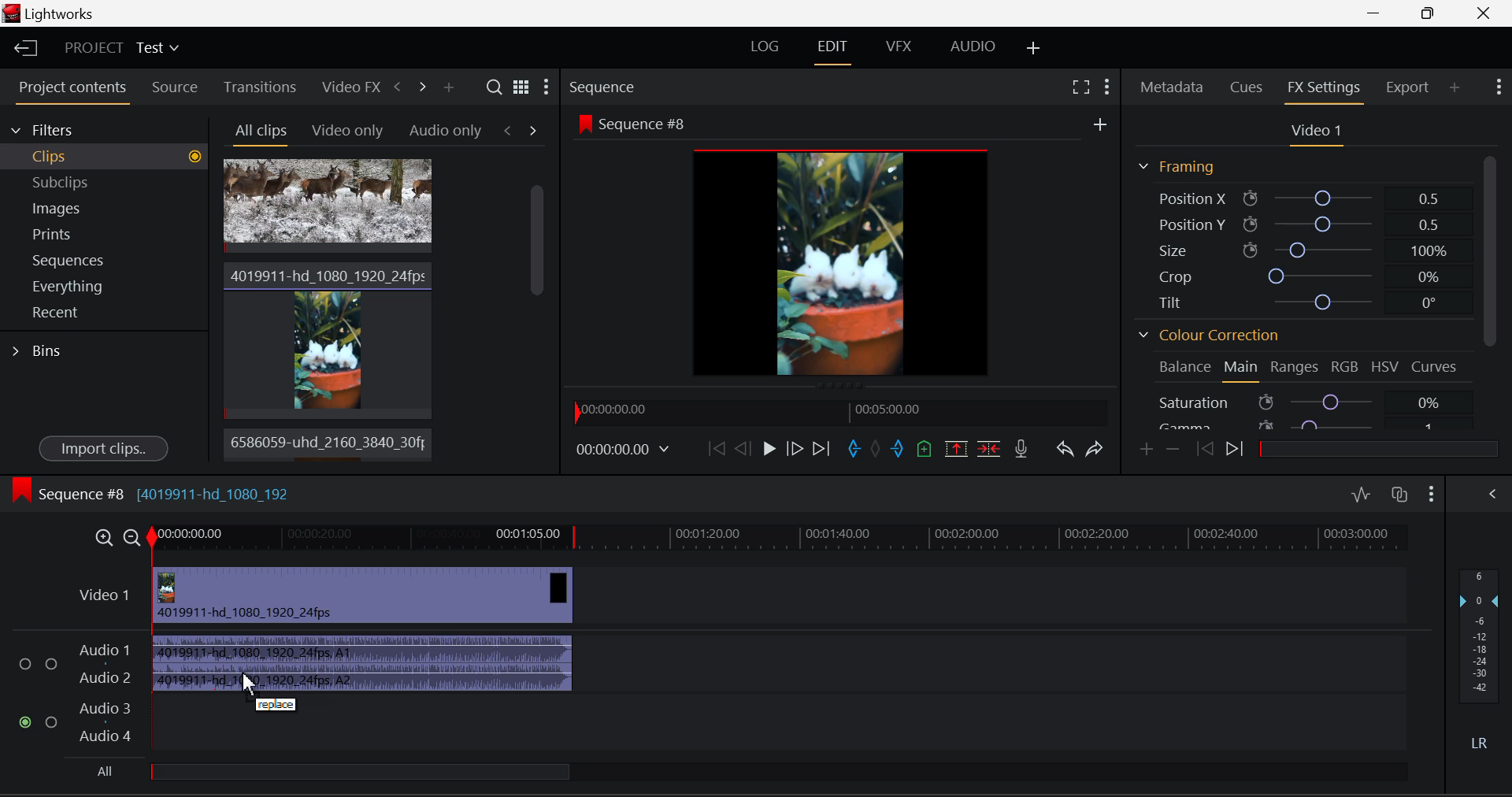  Describe the element at coordinates (104, 129) in the screenshot. I see `Filters` at that location.